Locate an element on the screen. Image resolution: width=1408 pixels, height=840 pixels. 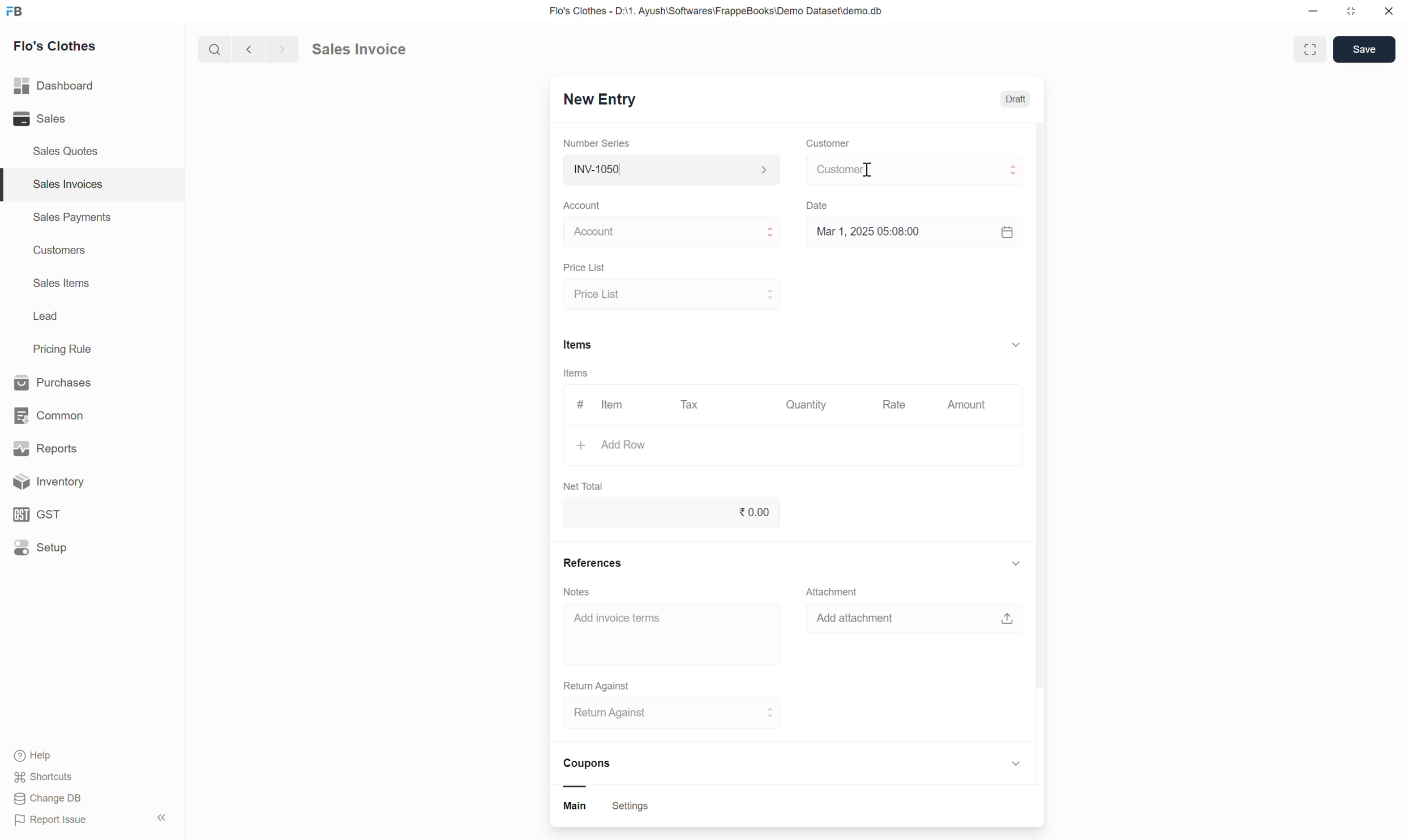
Item is located at coordinates (614, 405).